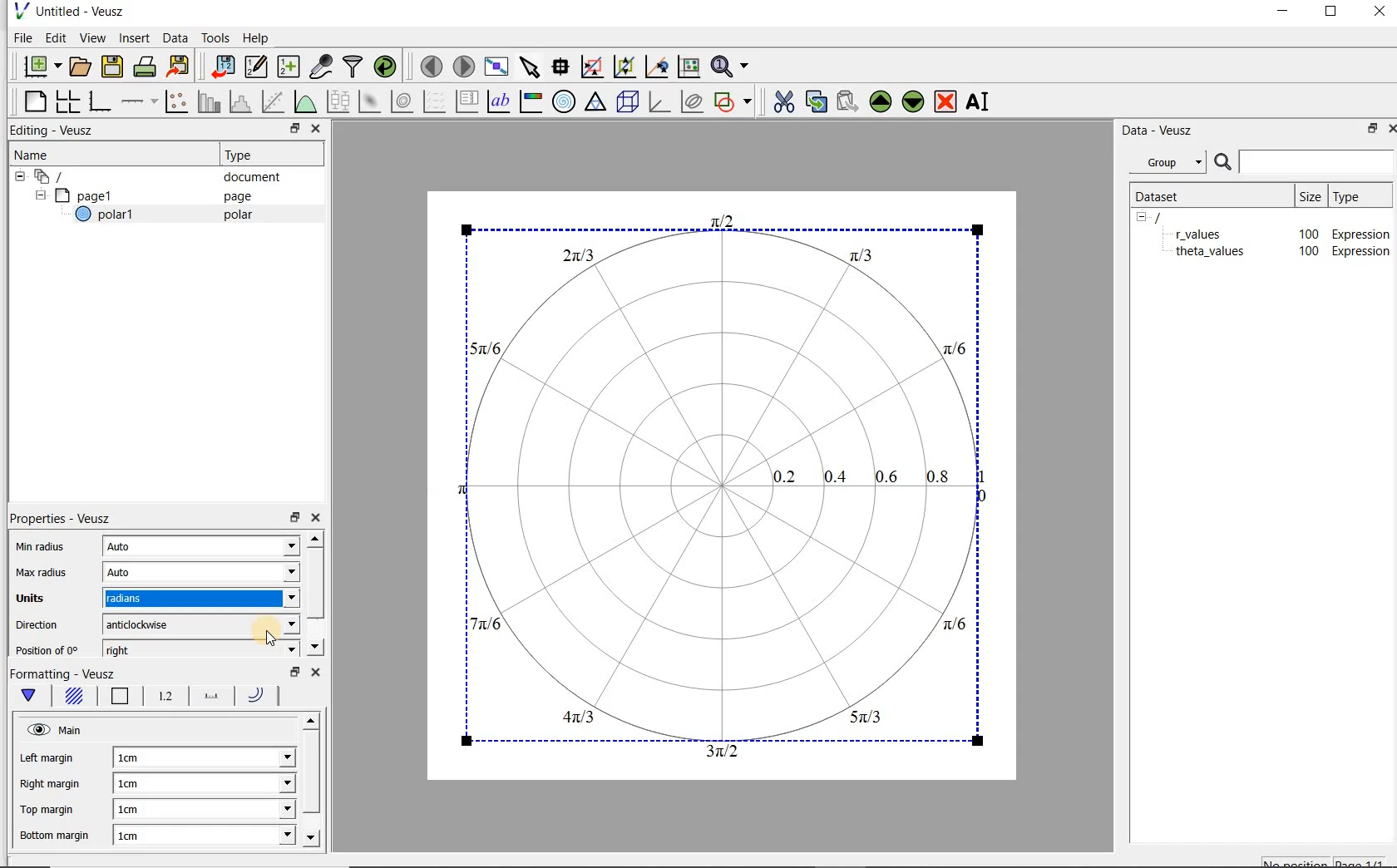 This screenshot has height=868, width=1397. What do you see at coordinates (881, 101) in the screenshot?
I see `Move the selected widget up` at bounding box center [881, 101].